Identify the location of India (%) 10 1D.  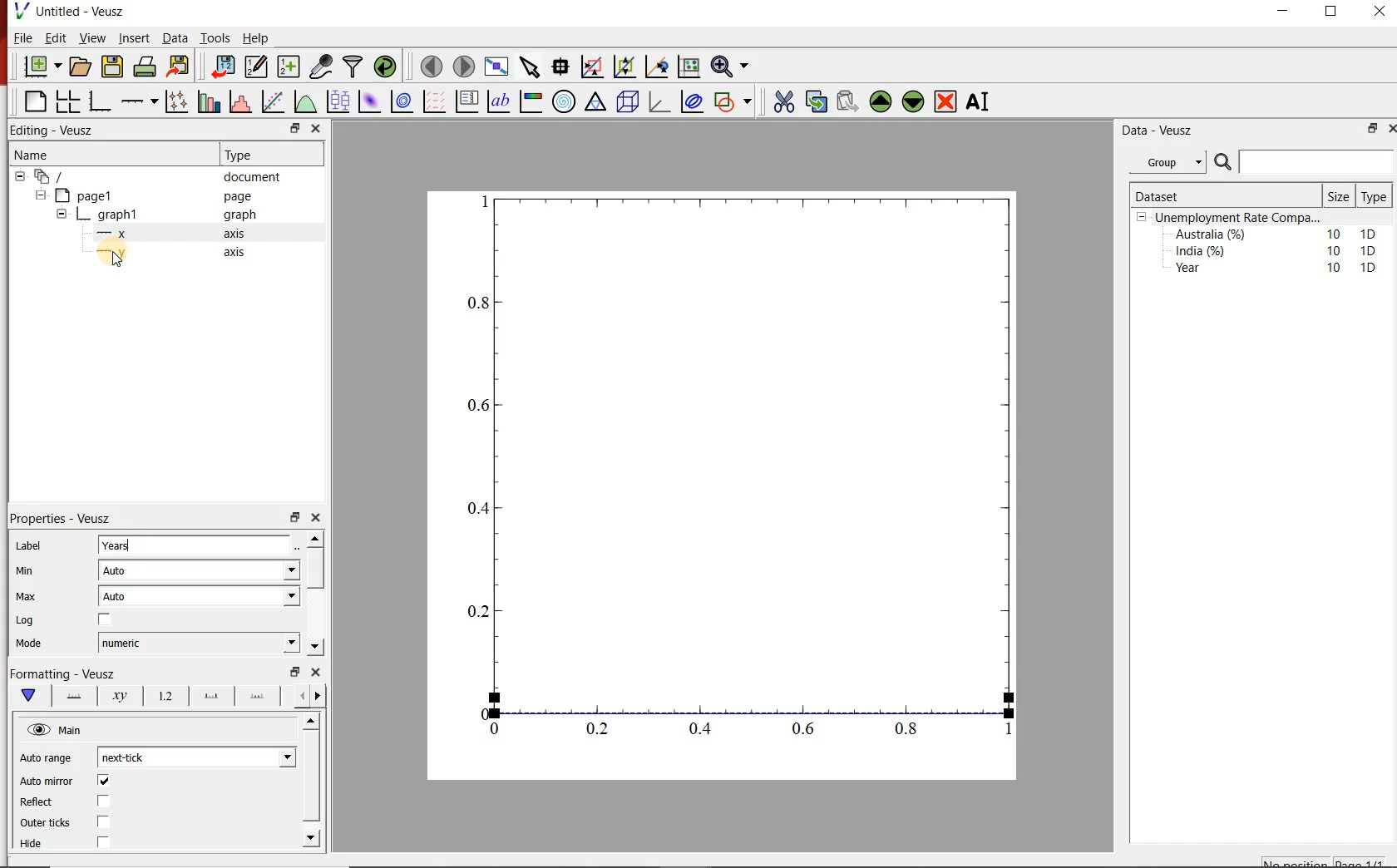
(1277, 250).